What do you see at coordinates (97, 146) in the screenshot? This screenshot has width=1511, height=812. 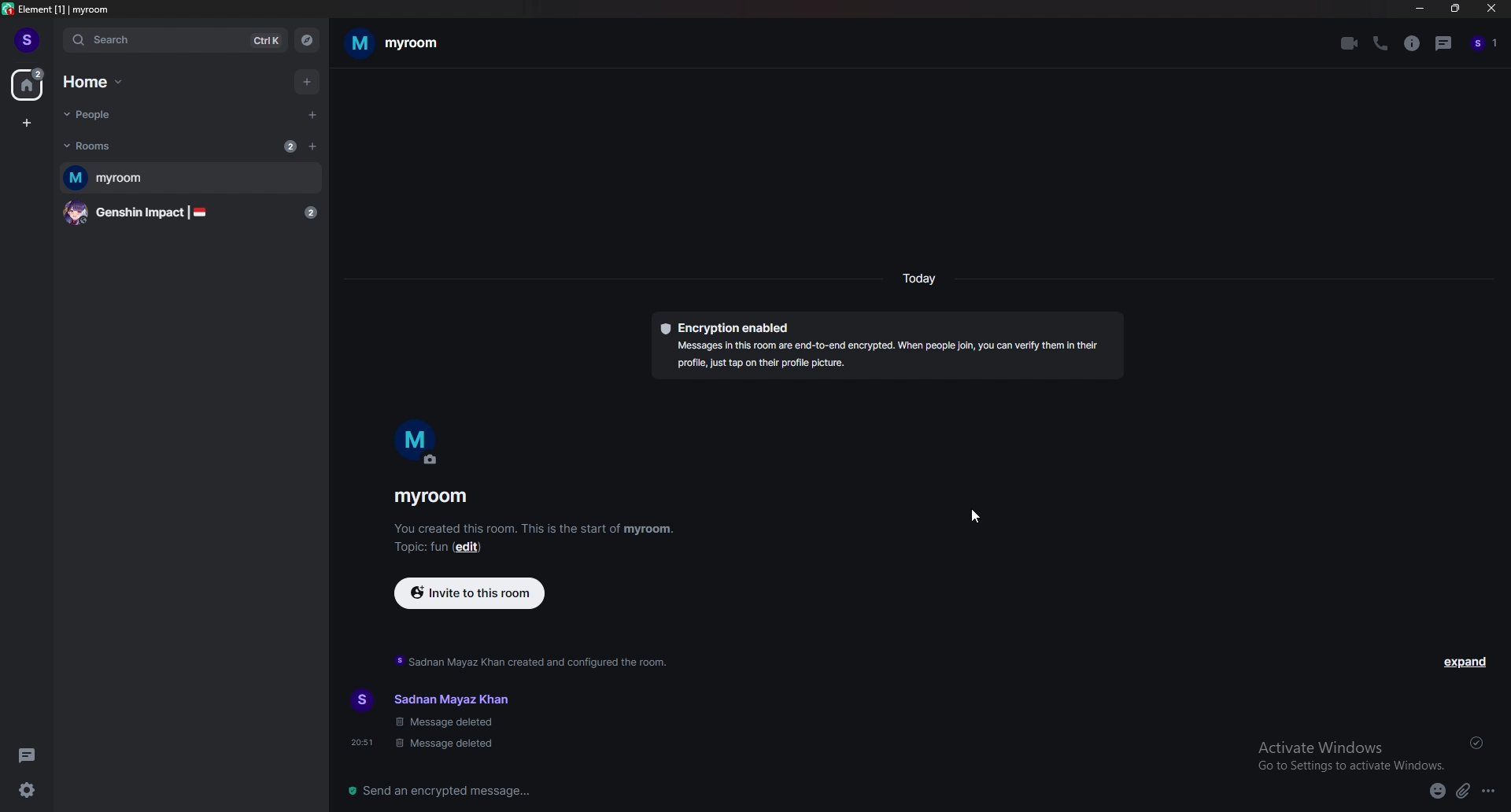 I see `rooms` at bounding box center [97, 146].